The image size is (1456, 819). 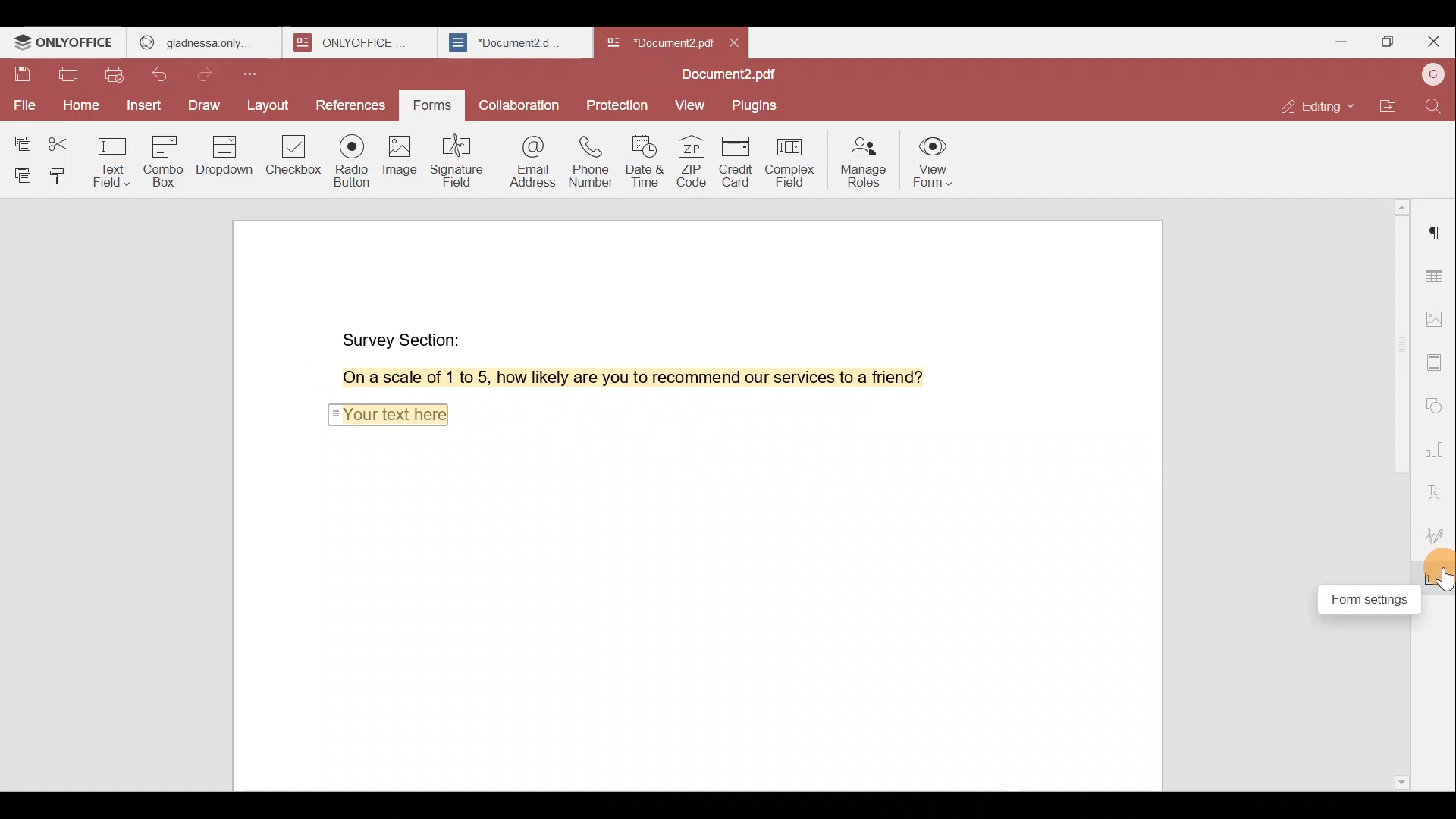 I want to click on Text Art settings, so click(x=1437, y=488).